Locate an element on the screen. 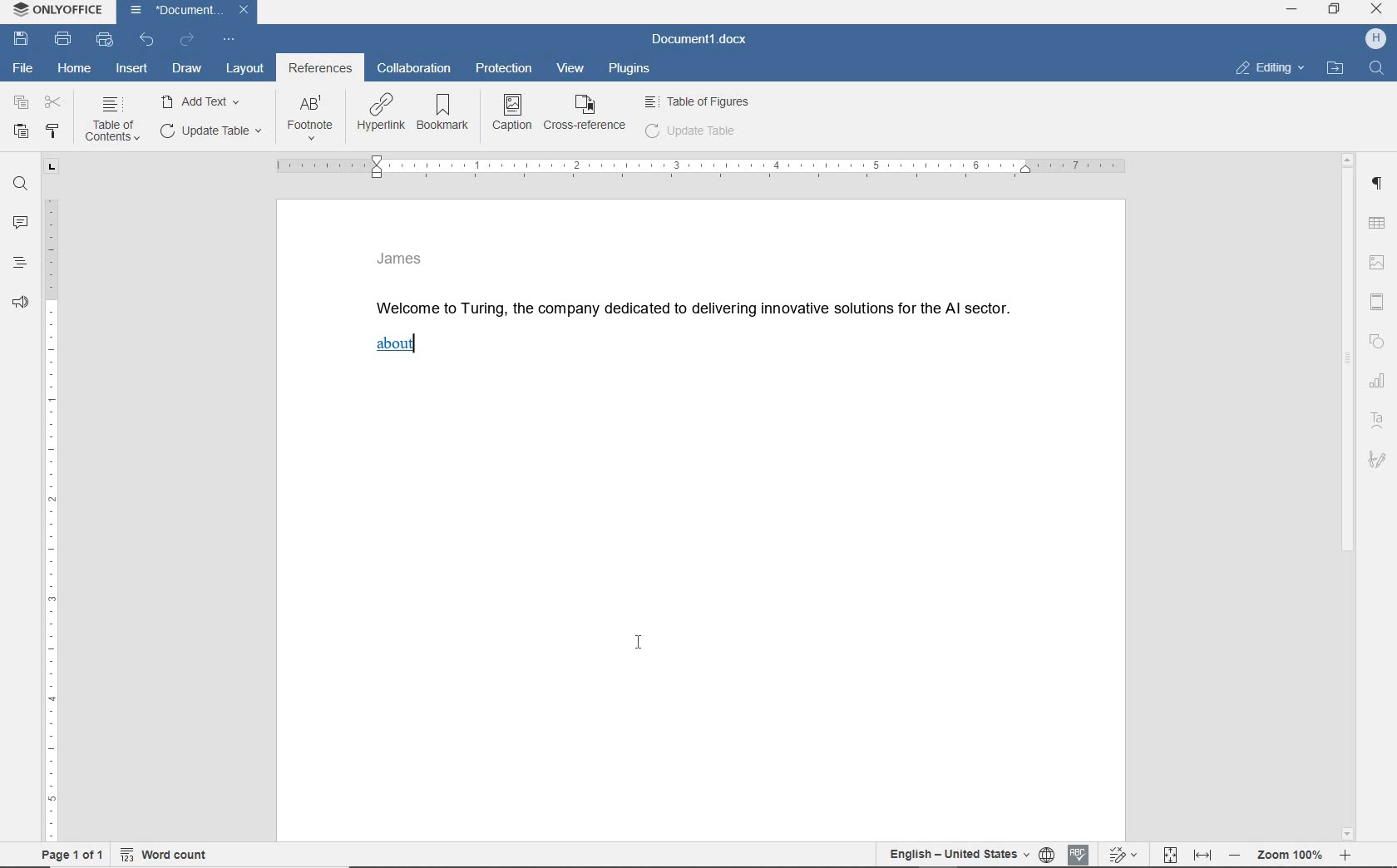  zoom in is located at coordinates (1350, 856).